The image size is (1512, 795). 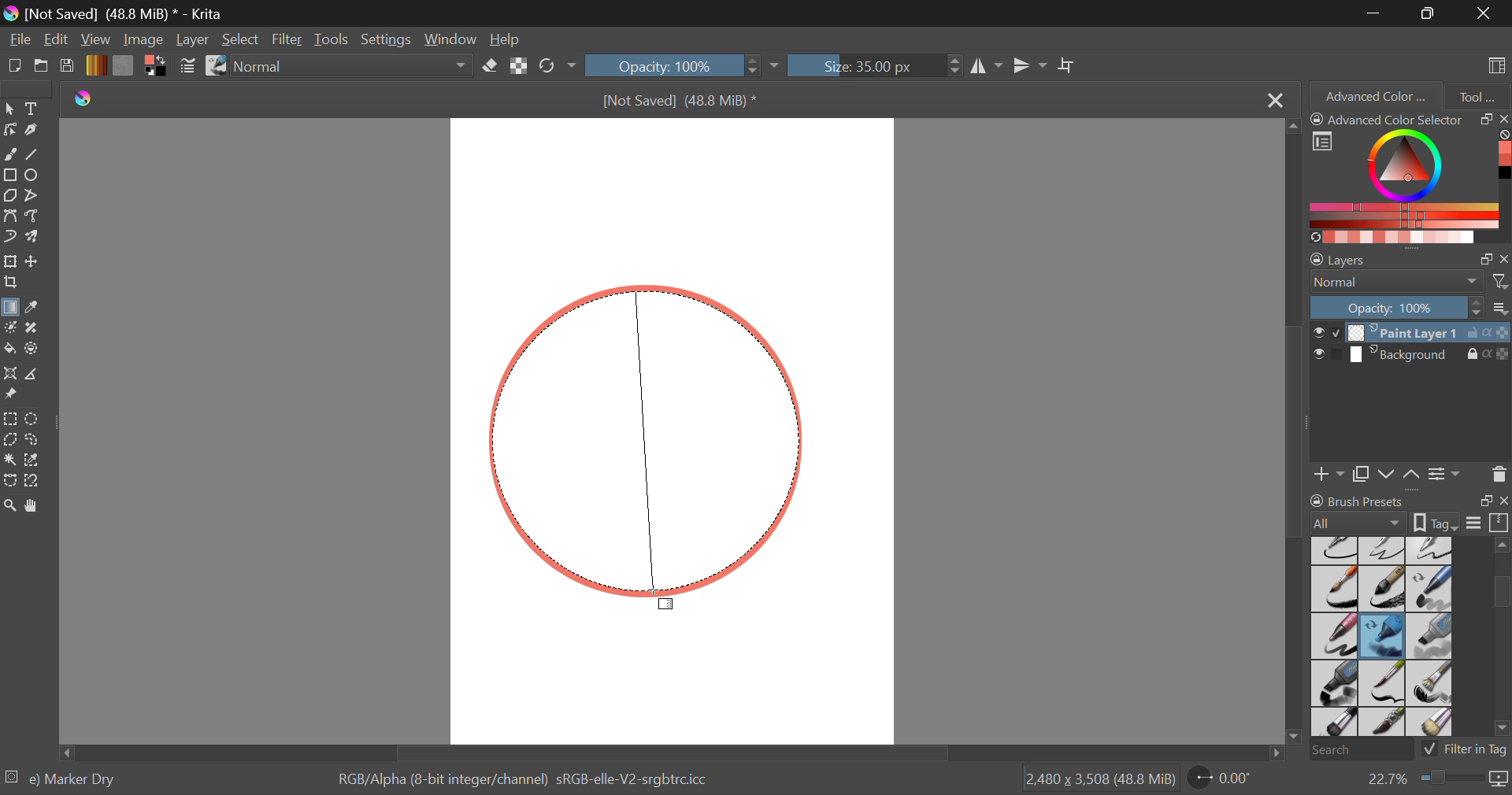 I want to click on Polyline Tool, so click(x=34, y=195).